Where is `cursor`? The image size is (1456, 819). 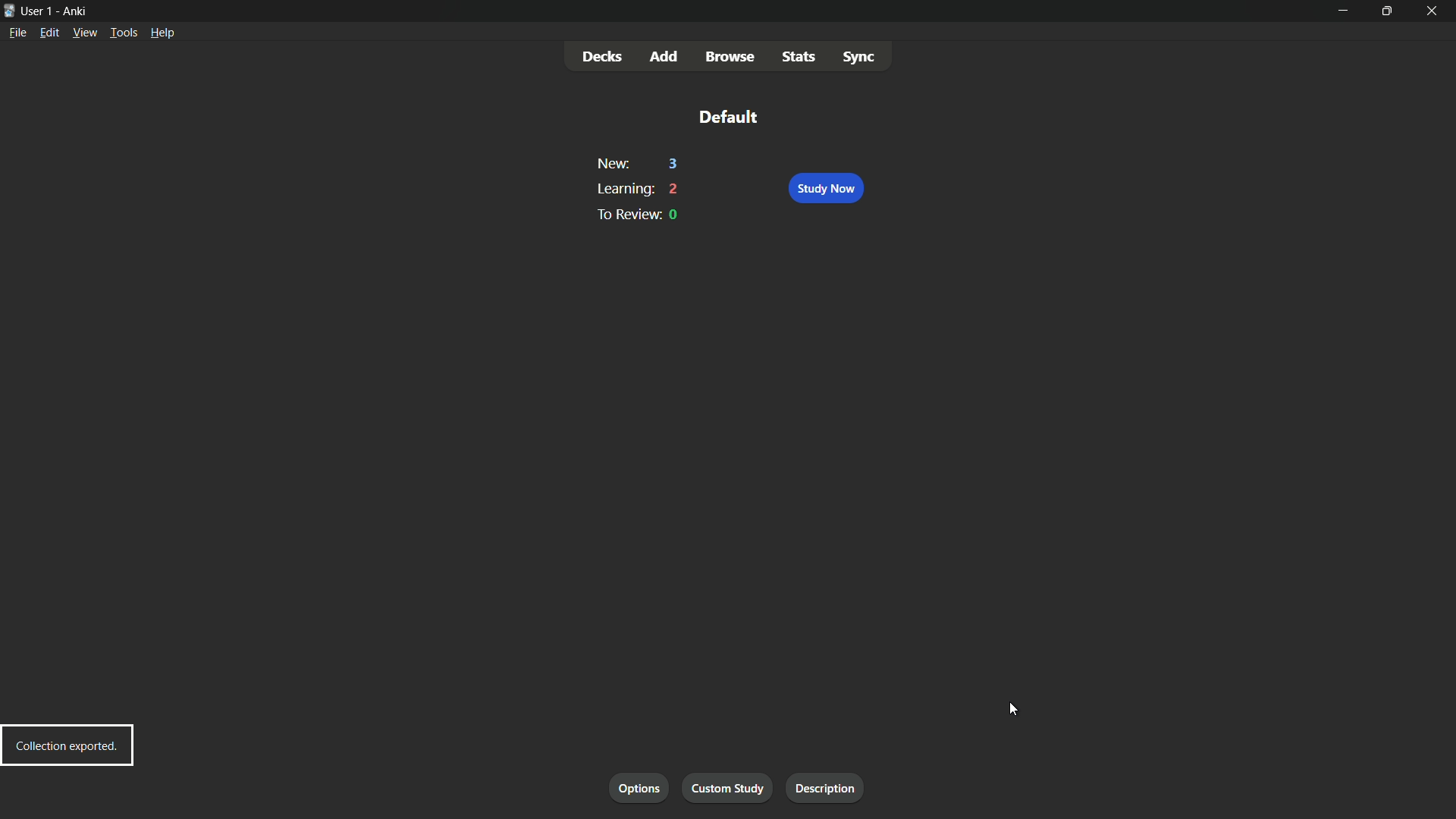 cursor is located at coordinates (1016, 710).